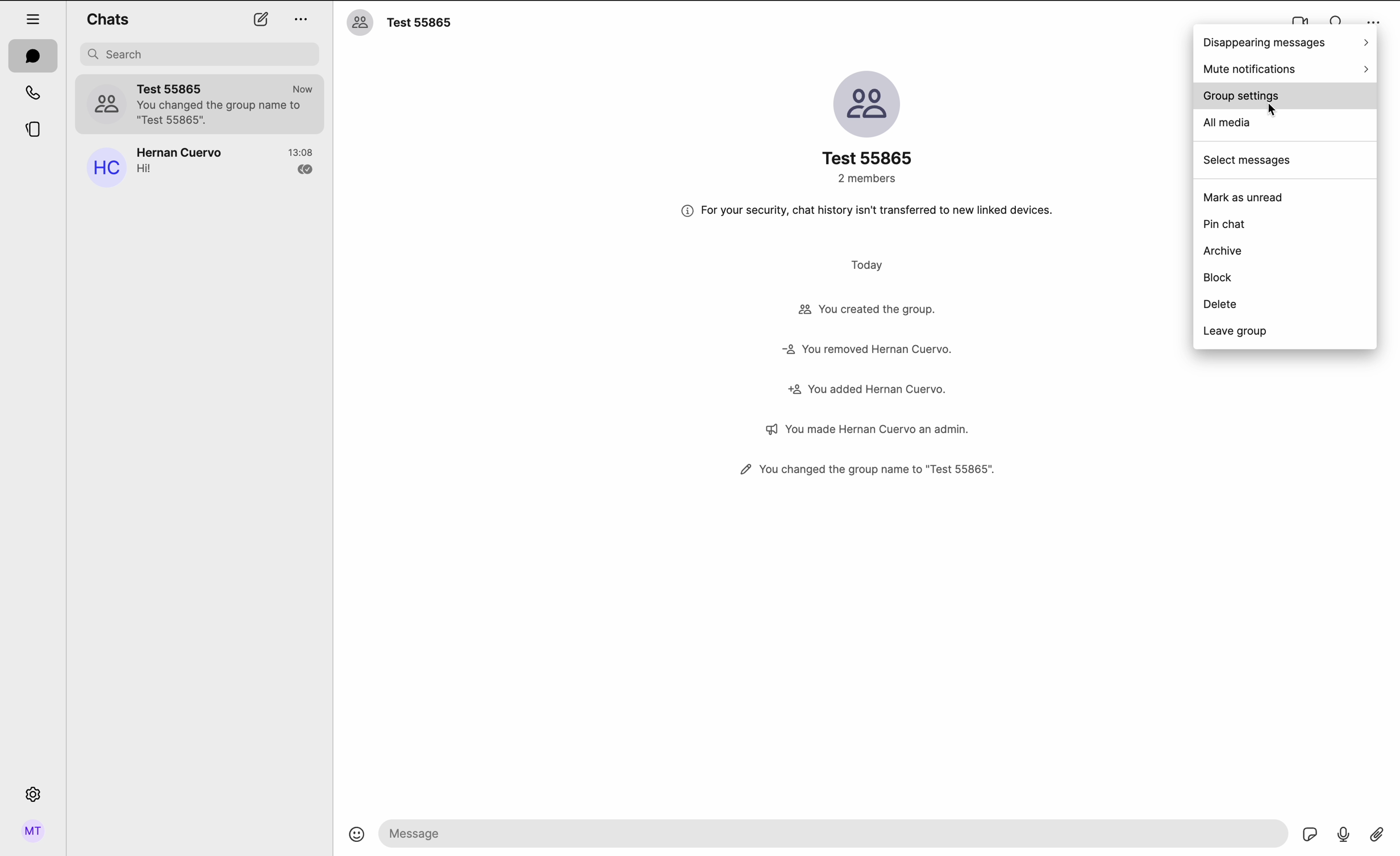  I want to click on search bar, so click(201, 54).